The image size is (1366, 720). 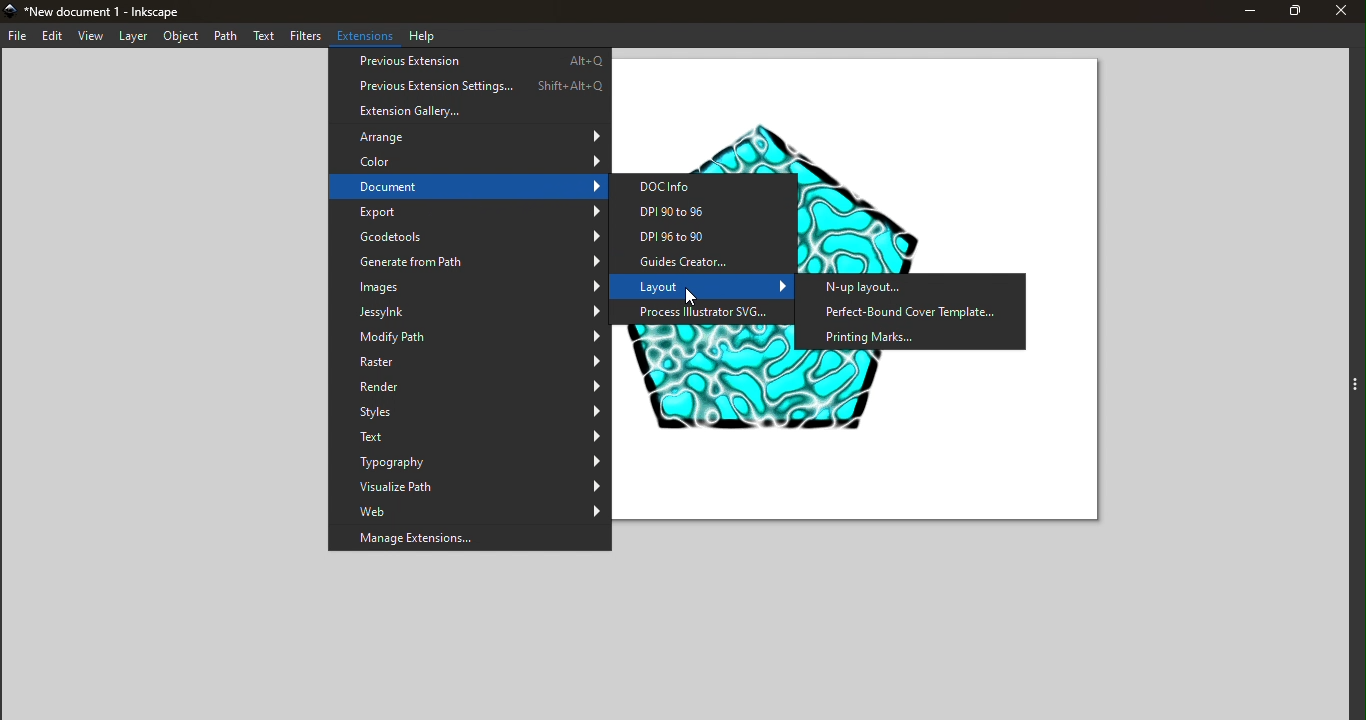 I want to click on Layout, so click(x=709, y=287).